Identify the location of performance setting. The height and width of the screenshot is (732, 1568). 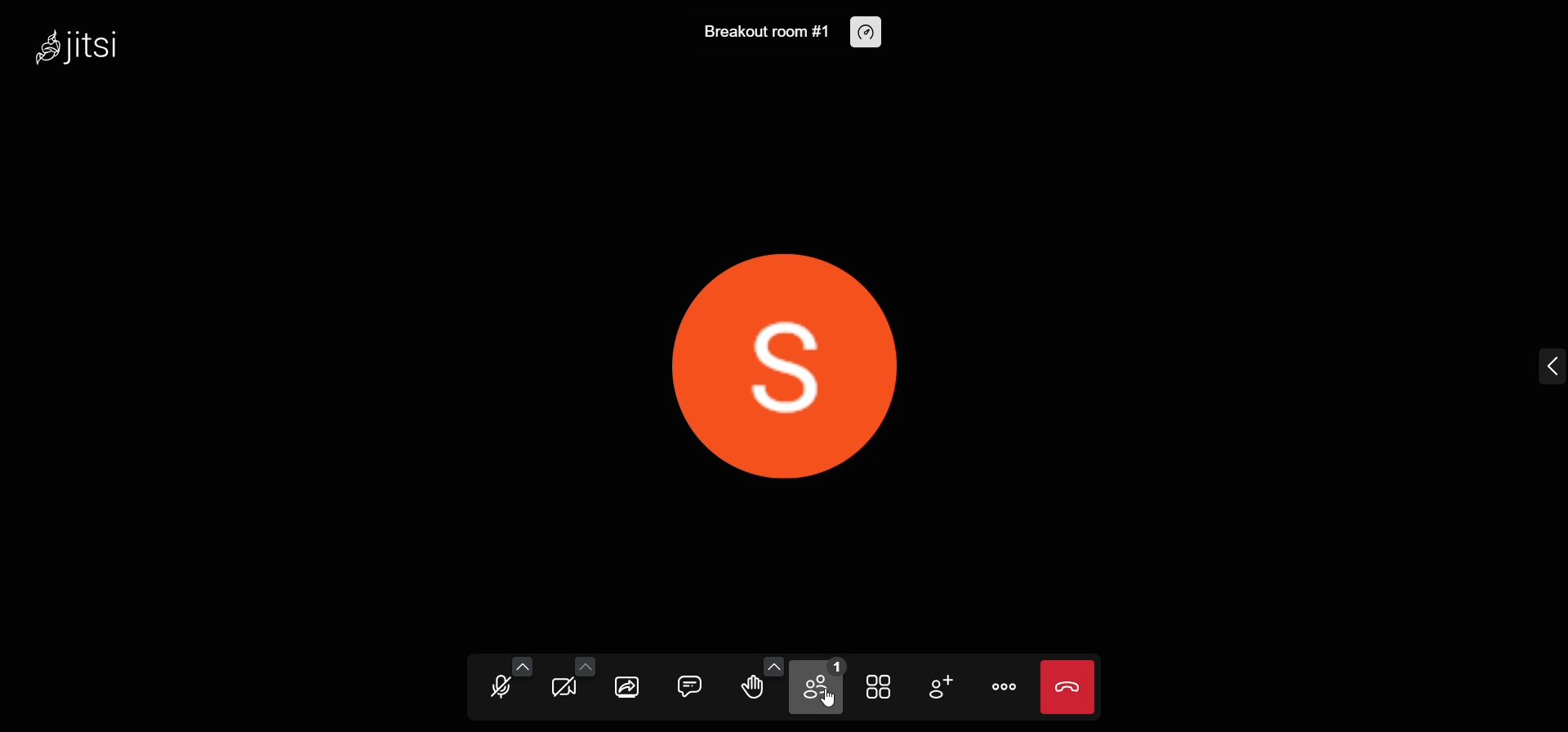
(869, 33).